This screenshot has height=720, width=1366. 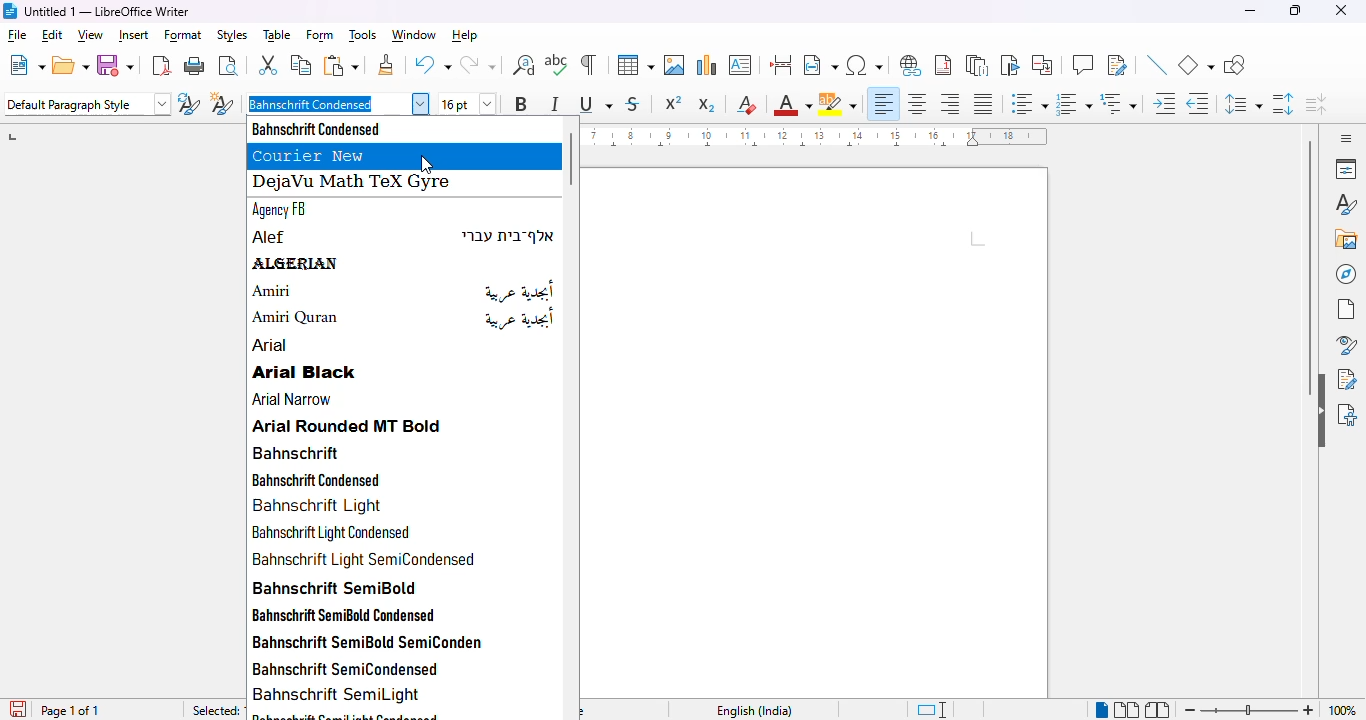 I want to click on open, so click(x=71, y=65).